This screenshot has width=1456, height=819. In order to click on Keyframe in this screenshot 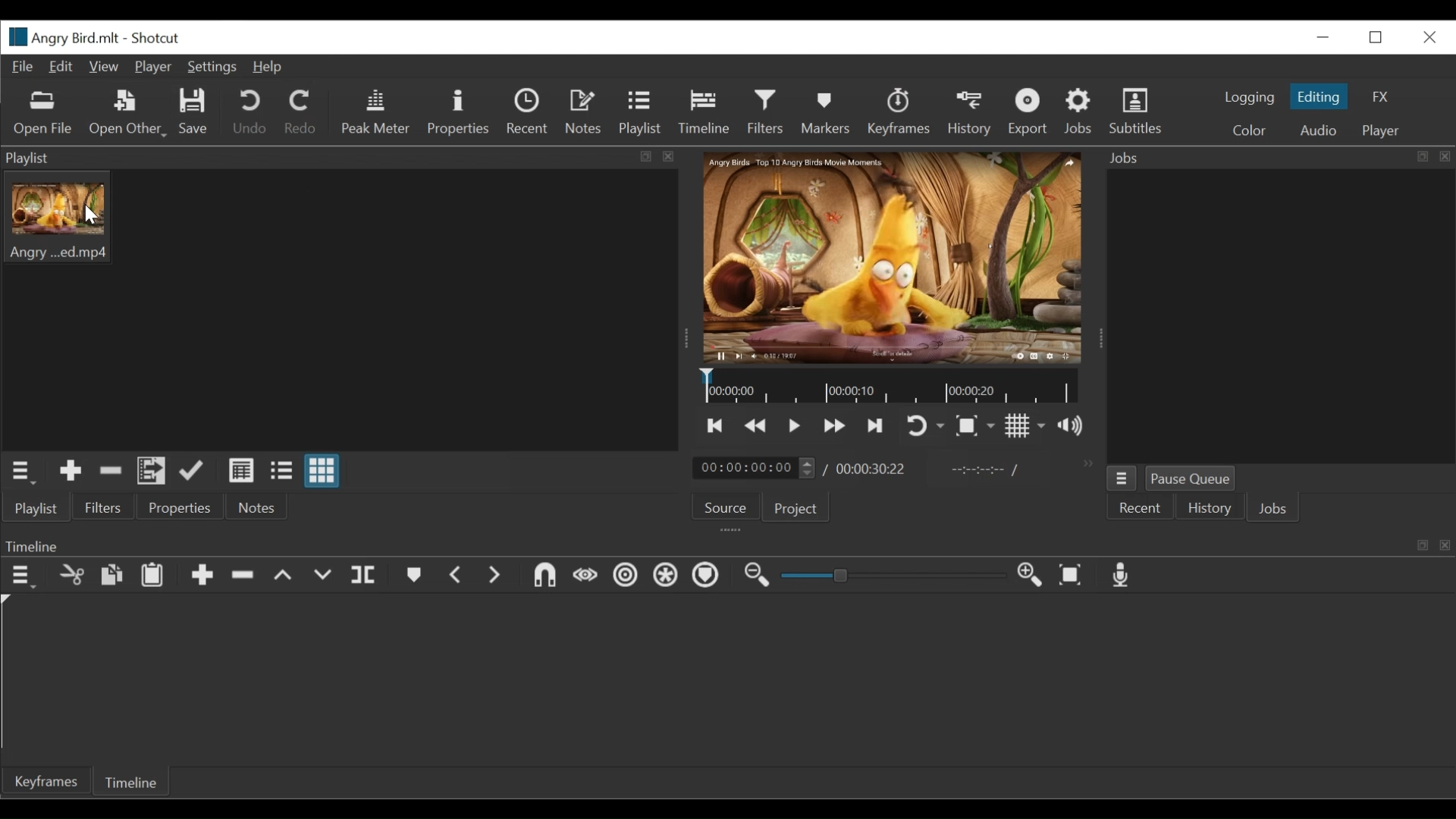, I will do `click(42, 782)`.